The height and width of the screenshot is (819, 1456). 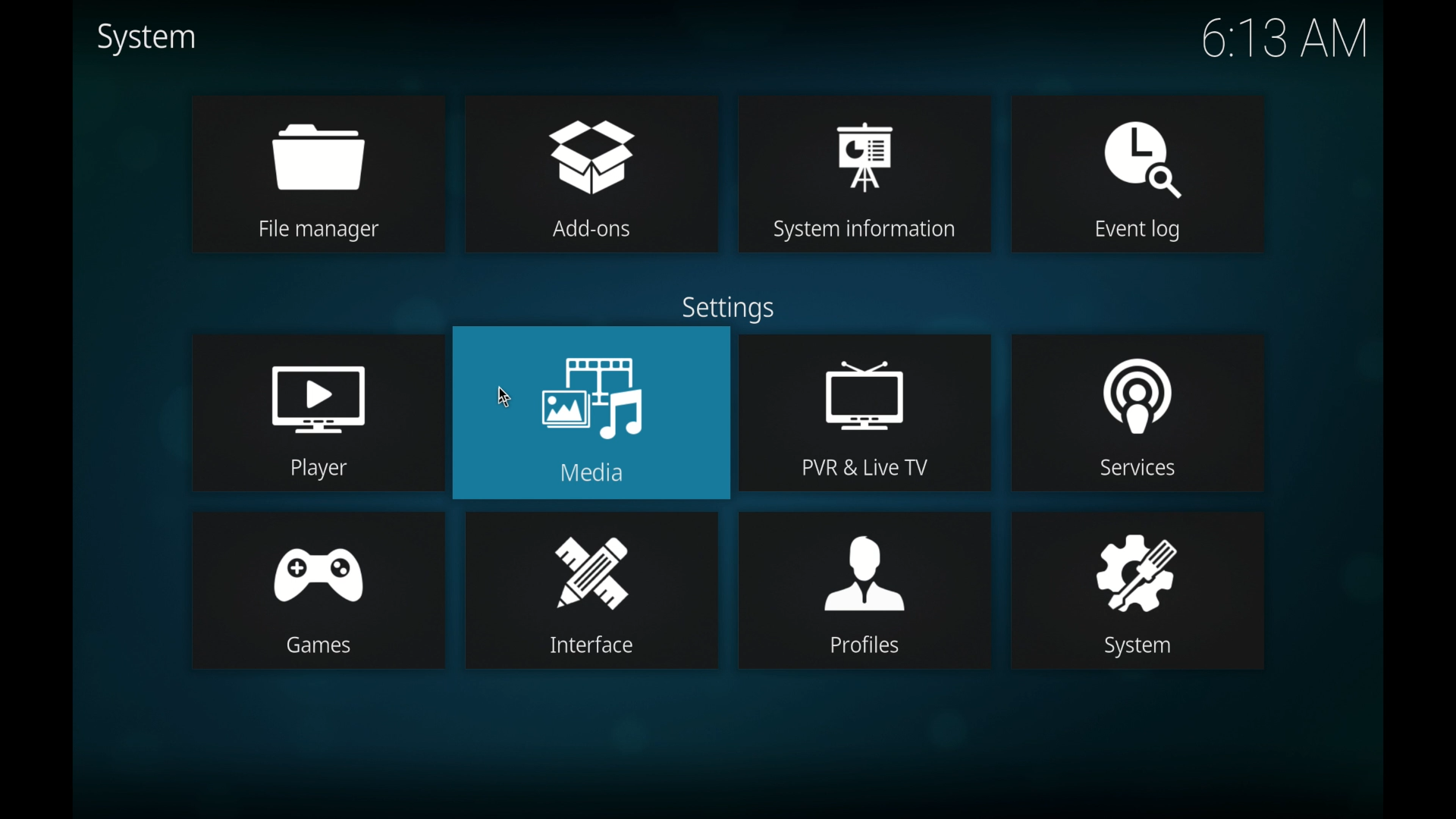 What do you see at coordinates (864, 588) in the screenshot?
I see `profiles` at bounding box center [864, 588].